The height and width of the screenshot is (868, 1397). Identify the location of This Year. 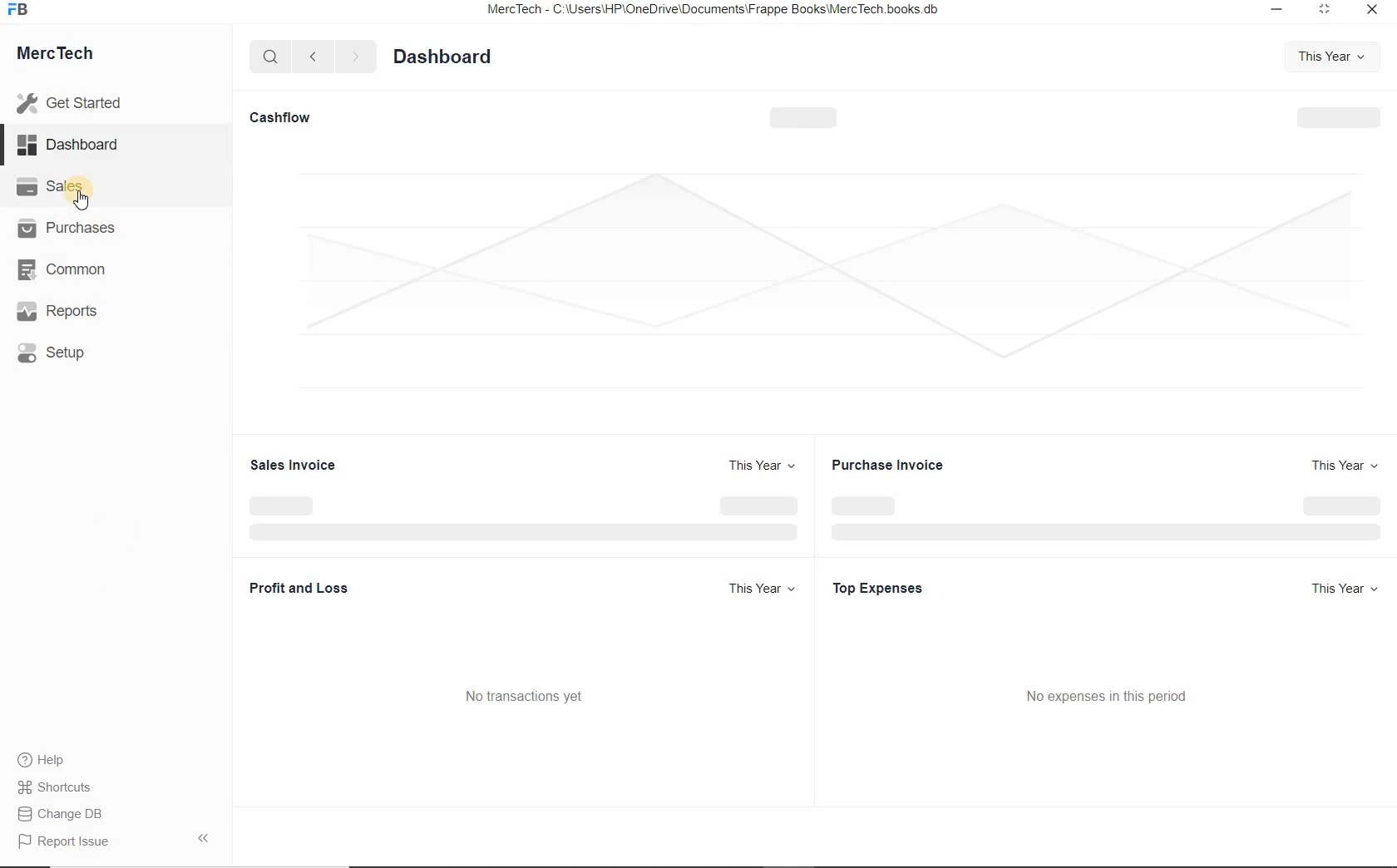
(1341, 467).